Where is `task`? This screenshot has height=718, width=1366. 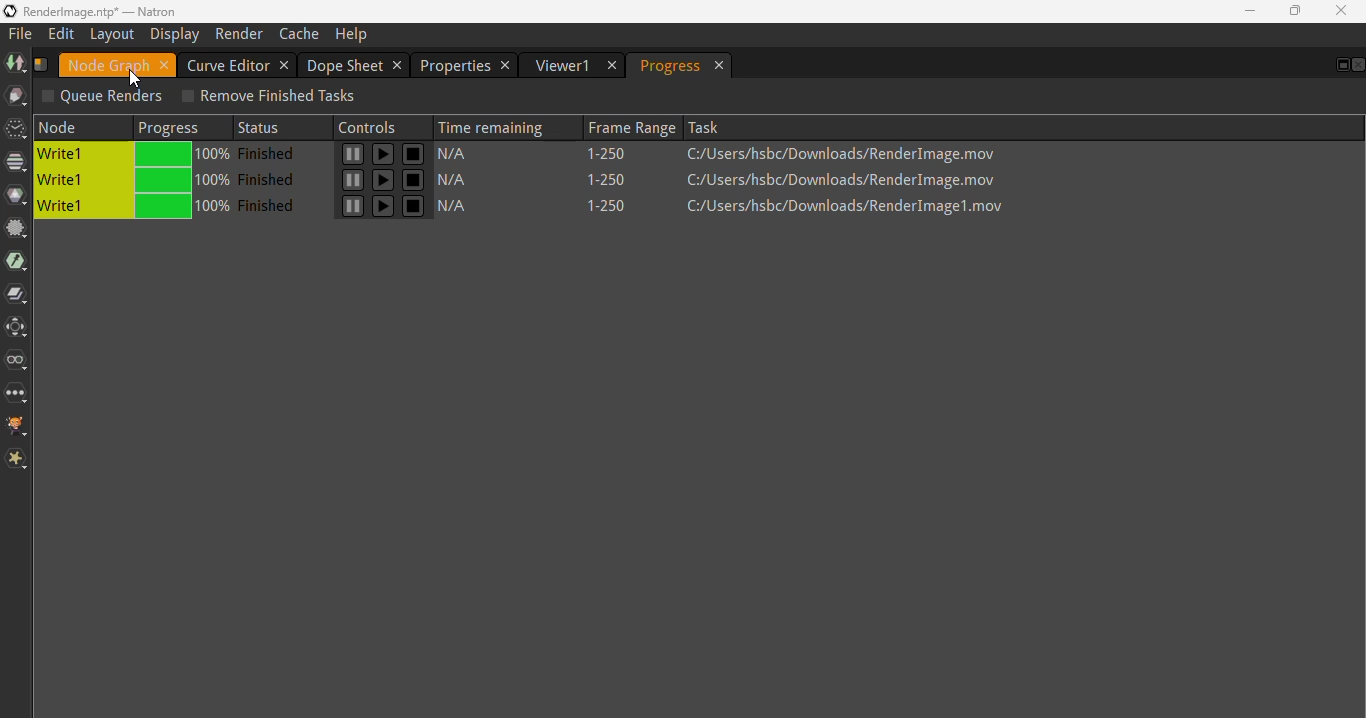 task is located at coordinates (707, 126).